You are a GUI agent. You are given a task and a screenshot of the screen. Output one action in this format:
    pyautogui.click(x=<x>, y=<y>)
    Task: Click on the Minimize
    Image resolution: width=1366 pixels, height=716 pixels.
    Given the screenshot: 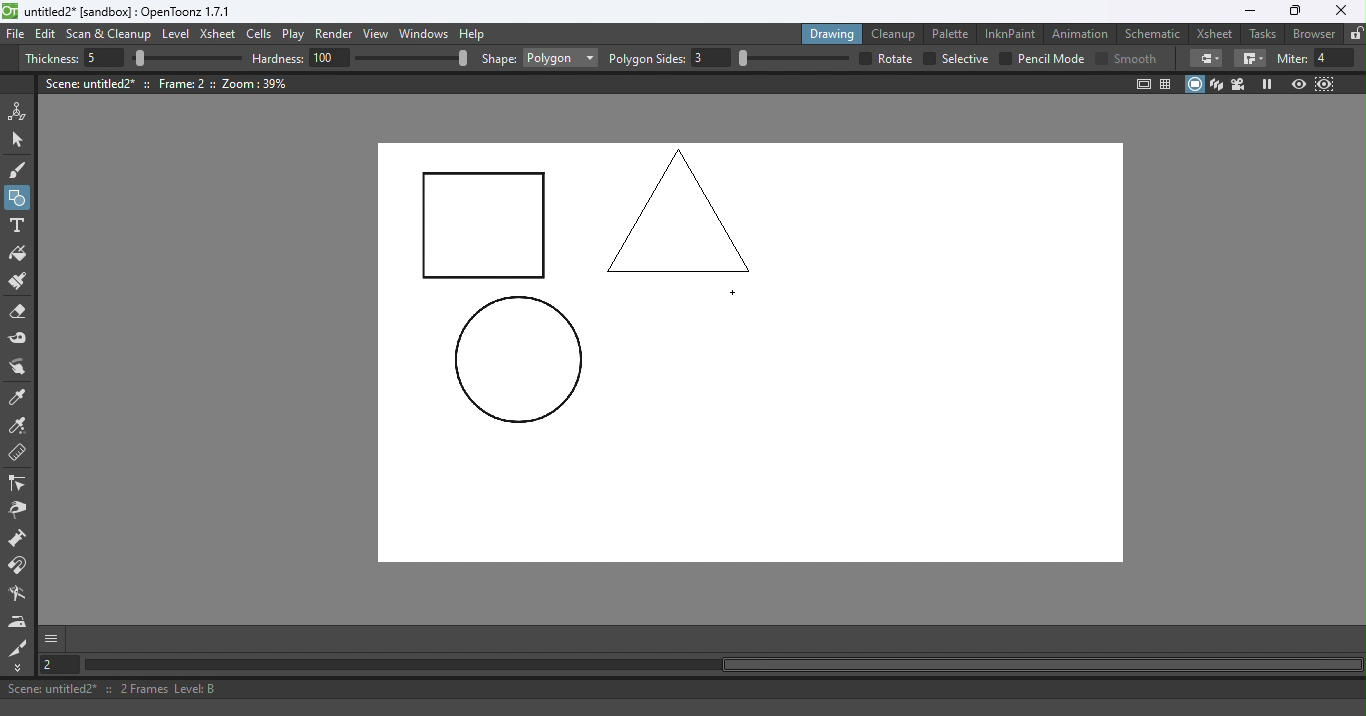 What is the action you would take?
    pyautogui.click(x=1249, y=11)
    